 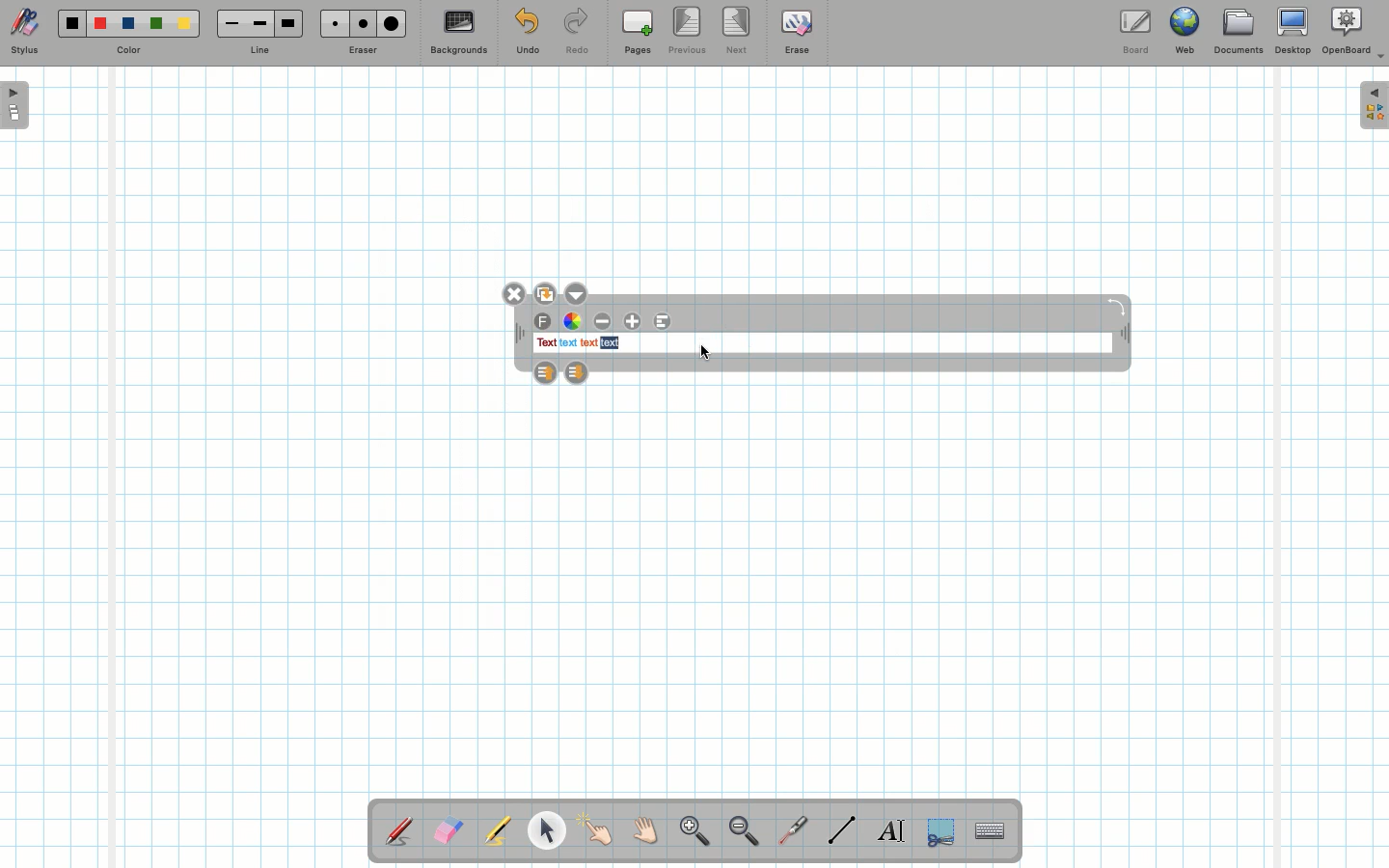 What do you see at coordinates (400, 830) in the screenshot?
I see `Stylus` at bounding box center [400, 830].